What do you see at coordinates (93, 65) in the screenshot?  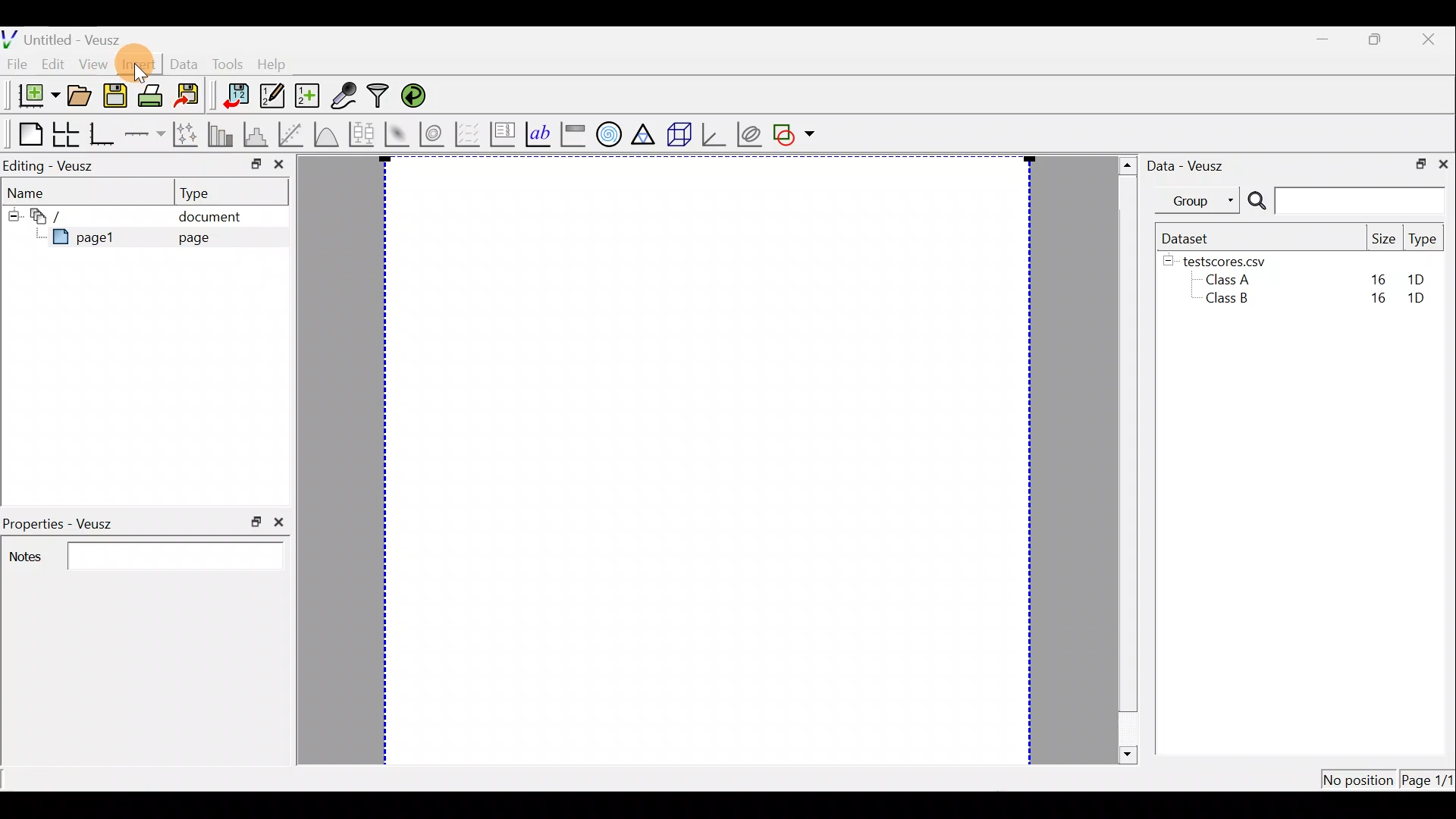 I see `View` at bounding box center [93, 65].